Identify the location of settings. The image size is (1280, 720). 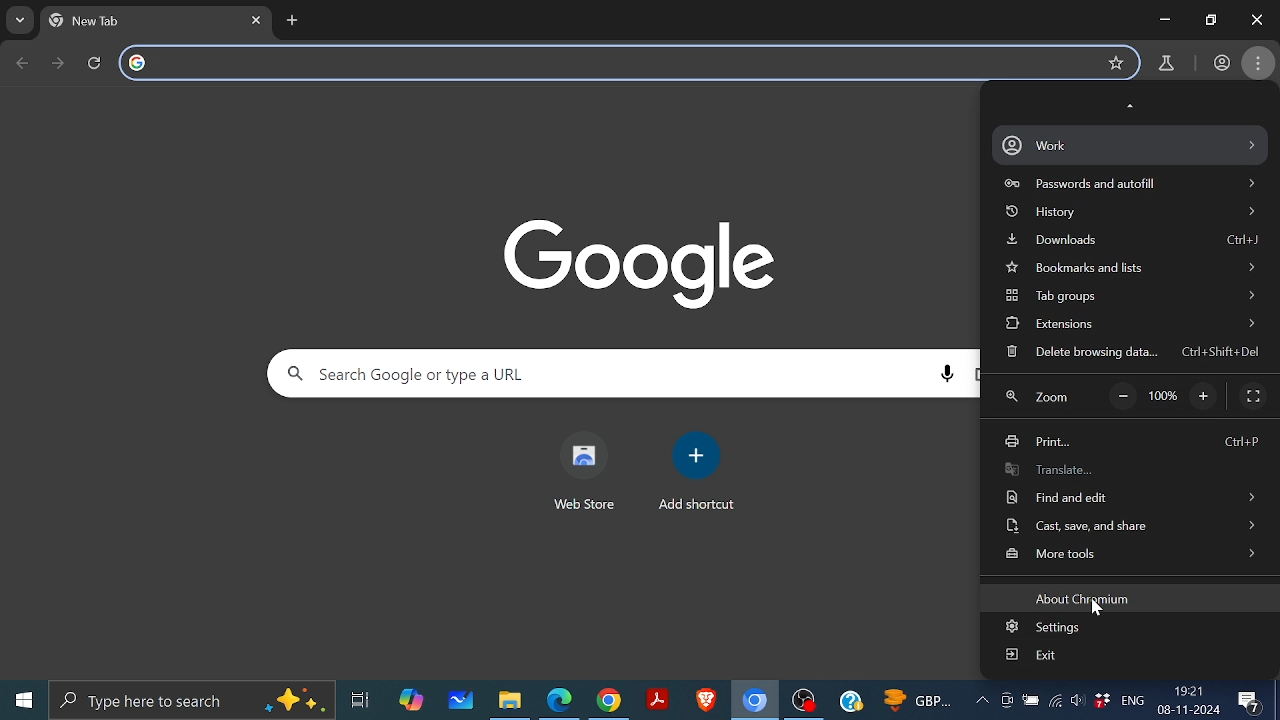
(1048, 629).